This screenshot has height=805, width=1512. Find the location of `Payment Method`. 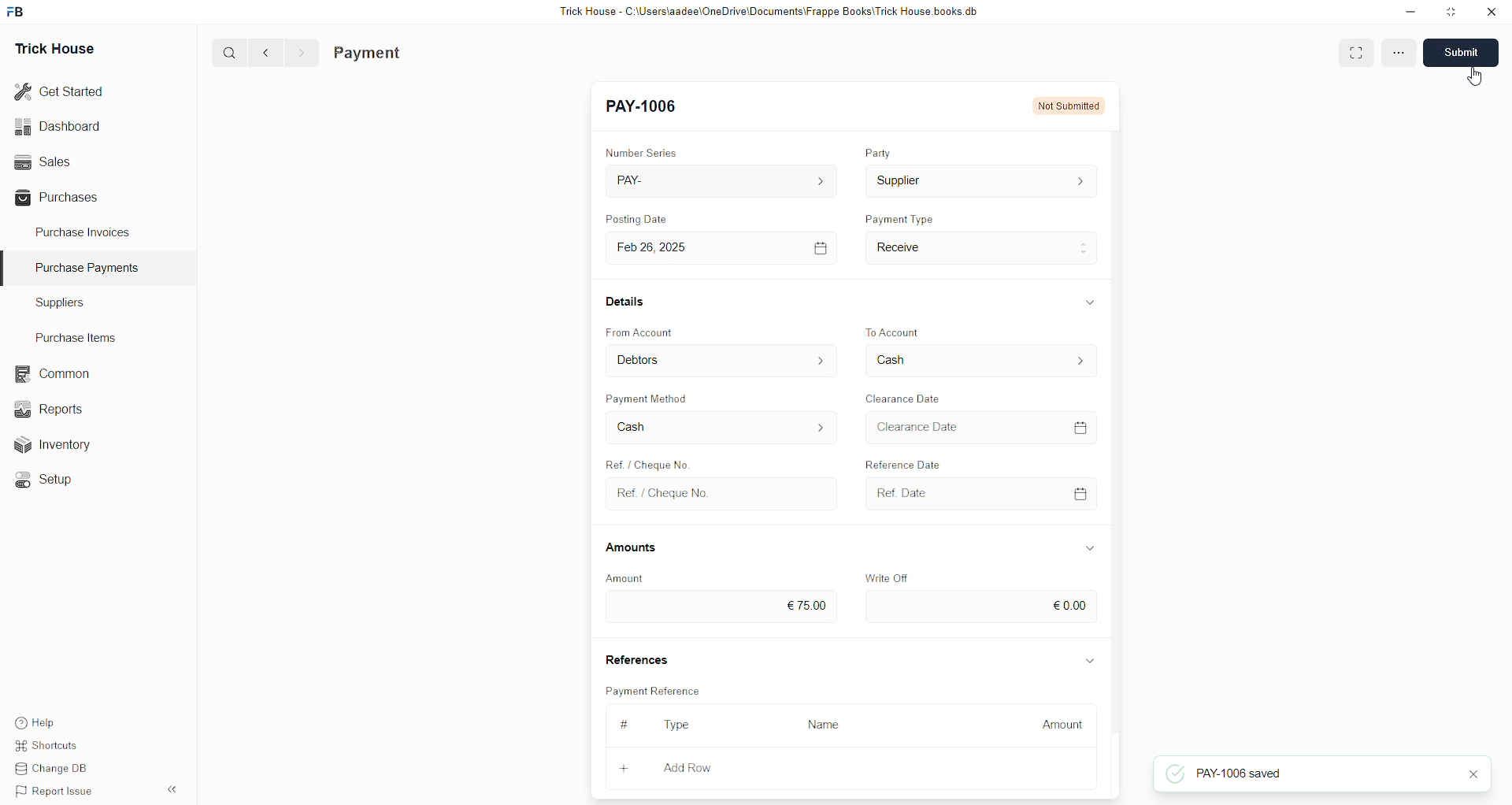

Payment Method is located at coordinates (648, 398).